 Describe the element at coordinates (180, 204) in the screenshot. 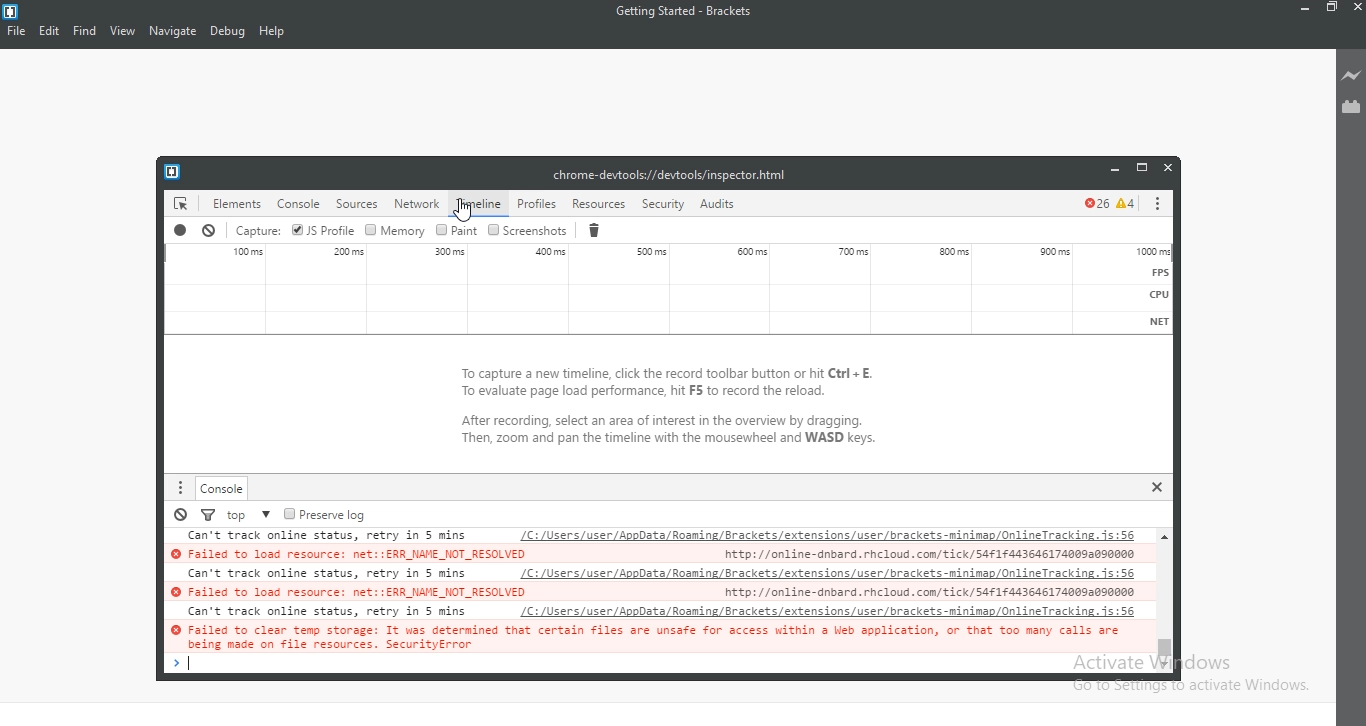

I see `elements` at that location.